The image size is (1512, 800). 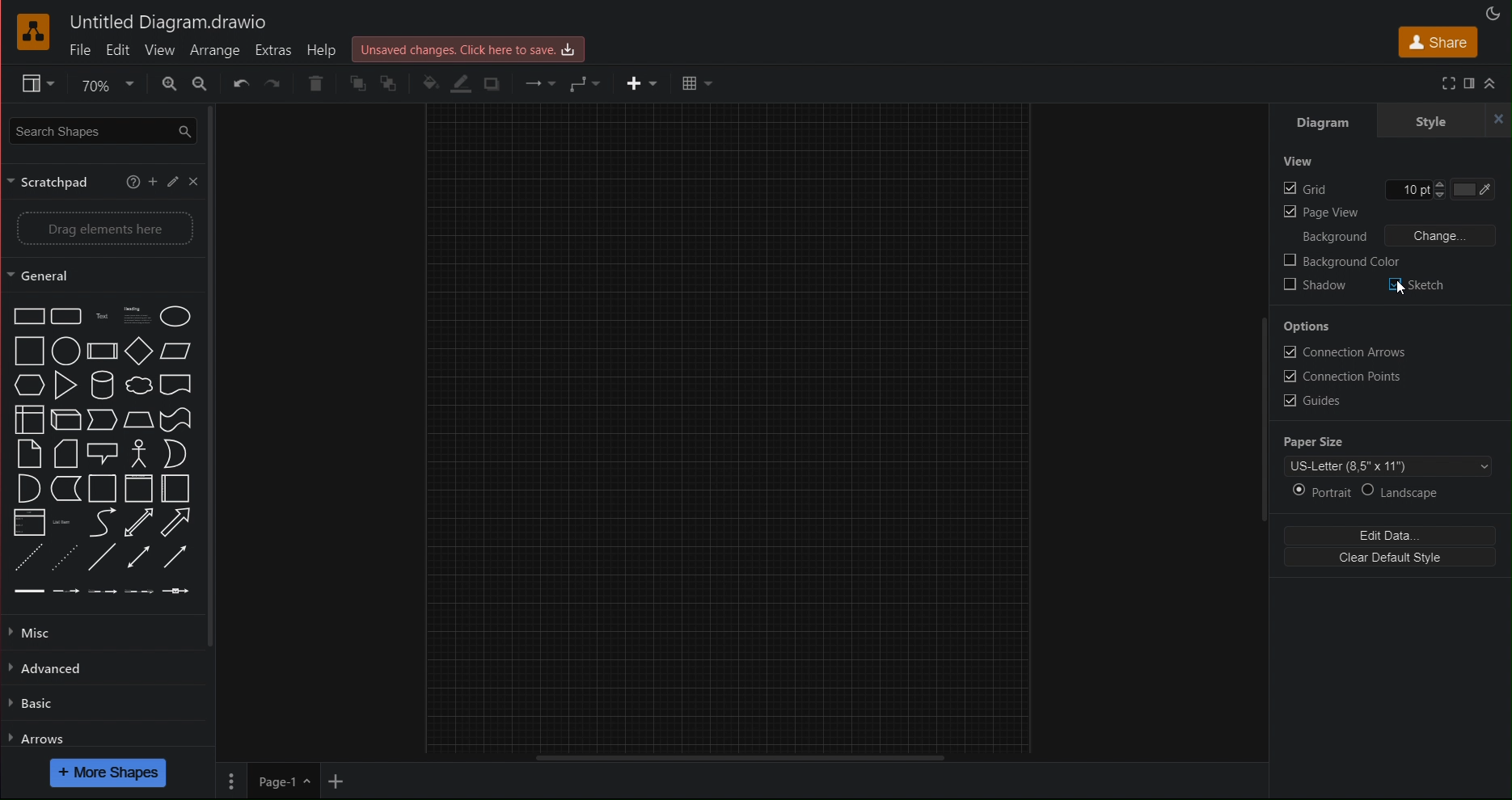 I want to click on Grid color, so click(x=1478, y=188).